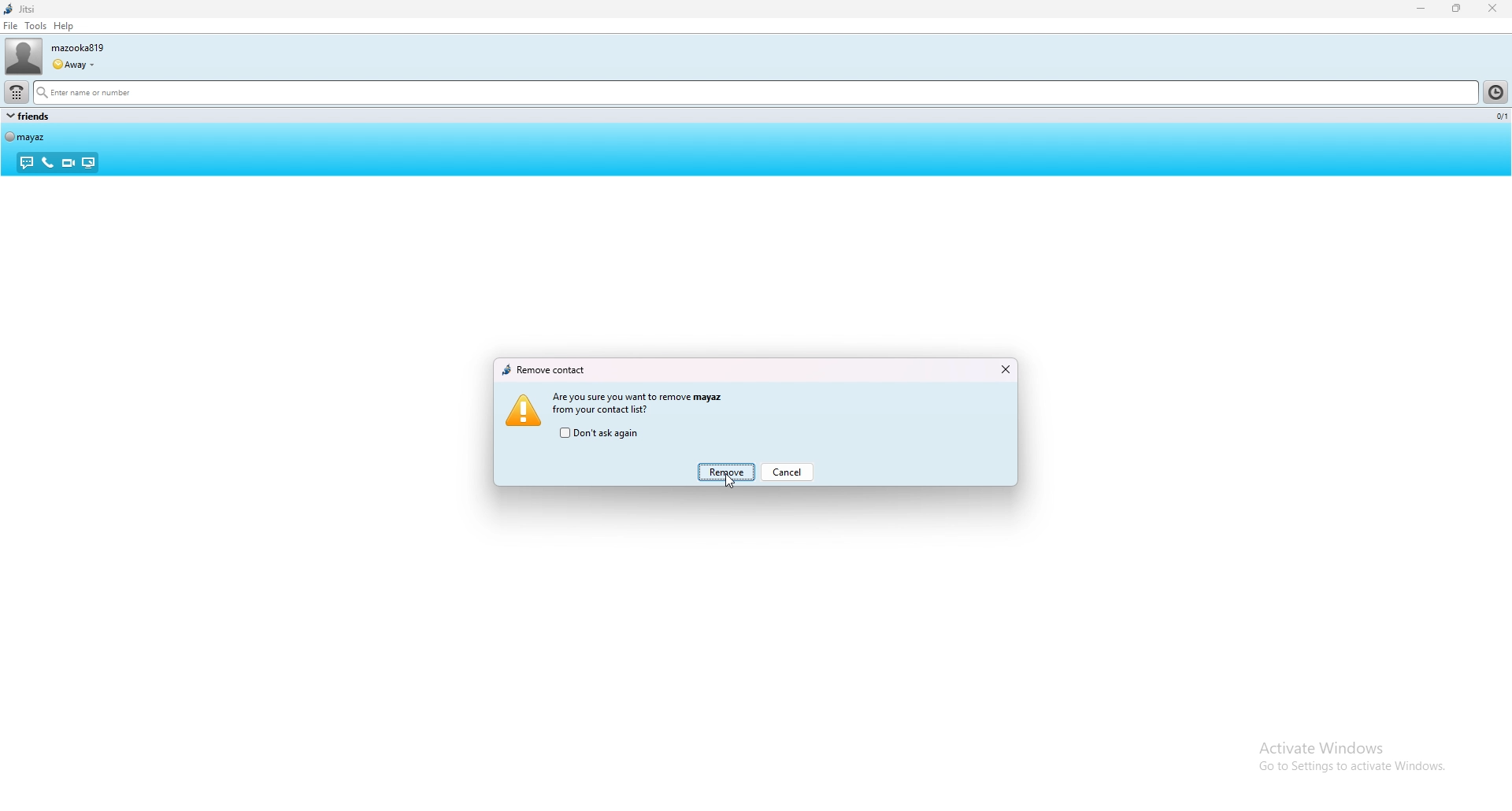  What do you see at coordinates (35, 25) in the screenshot?
I see `tools` at bounding box center [35, 25].